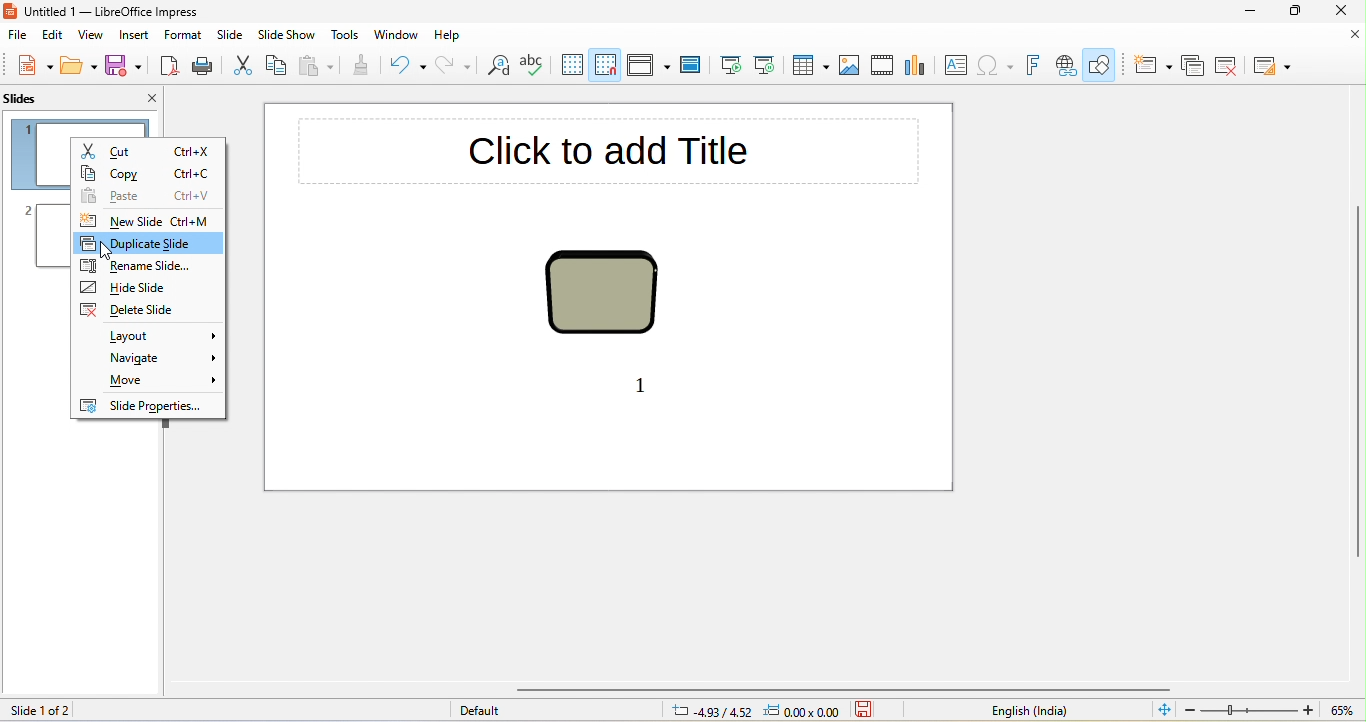  Describe the element at coordinates (607, 65) in the screenshot. I see `snap to grid` at that location.